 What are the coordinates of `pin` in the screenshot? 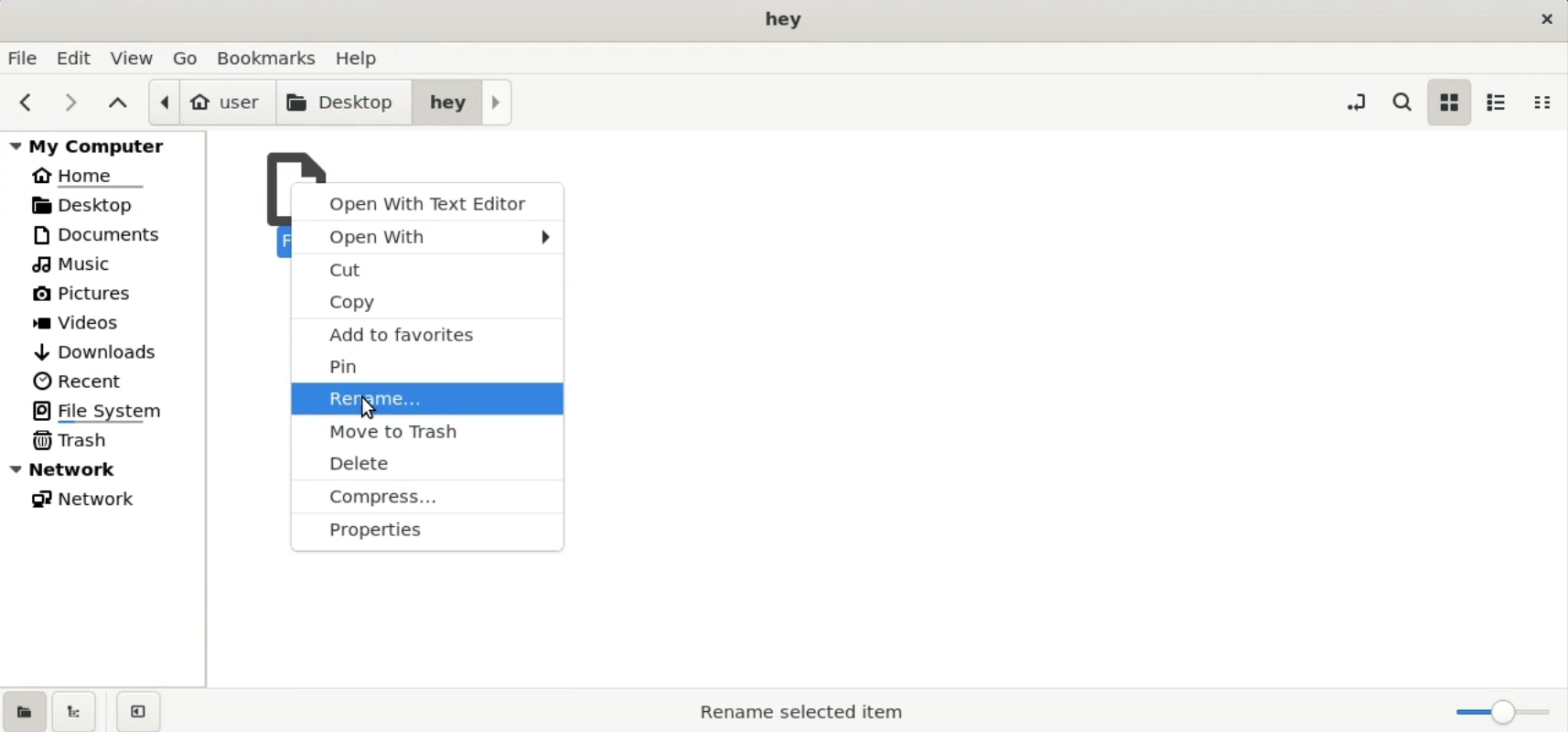 It's located at (429, 363).